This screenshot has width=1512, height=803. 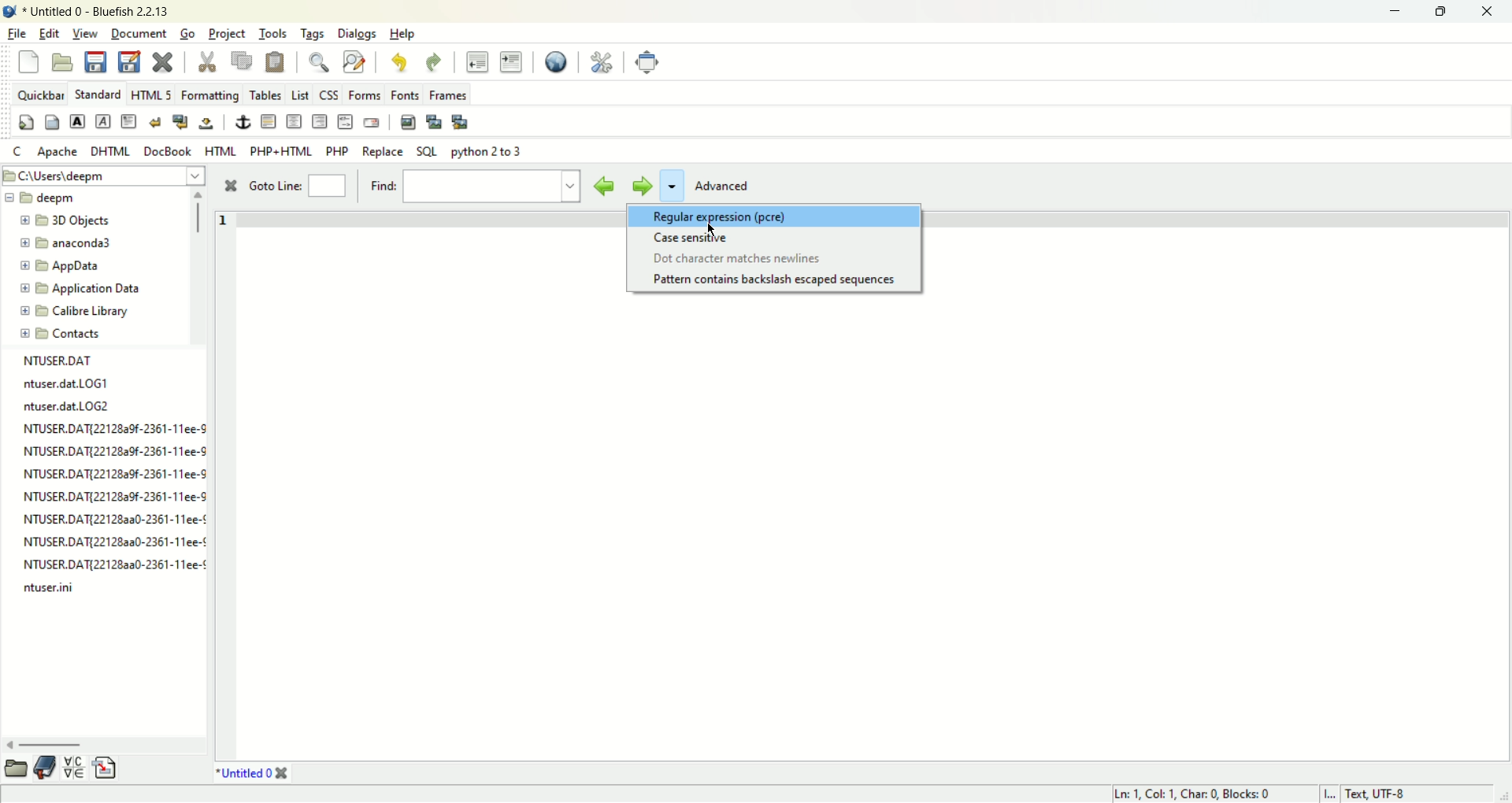 I want to click on ntuser.dat.LOG2, so click(x=67, y=407).